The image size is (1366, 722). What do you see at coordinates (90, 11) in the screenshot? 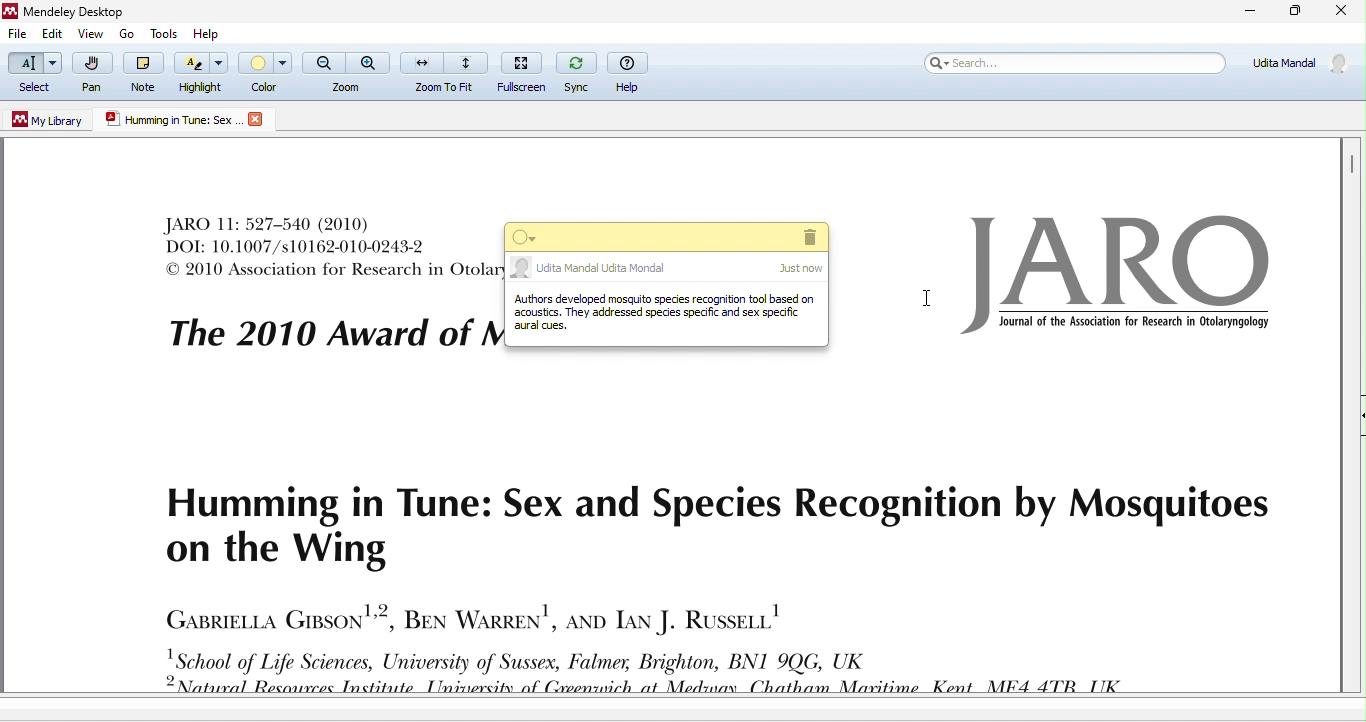
I see `Mendeley Desktop` at bounding box center [90, 11].